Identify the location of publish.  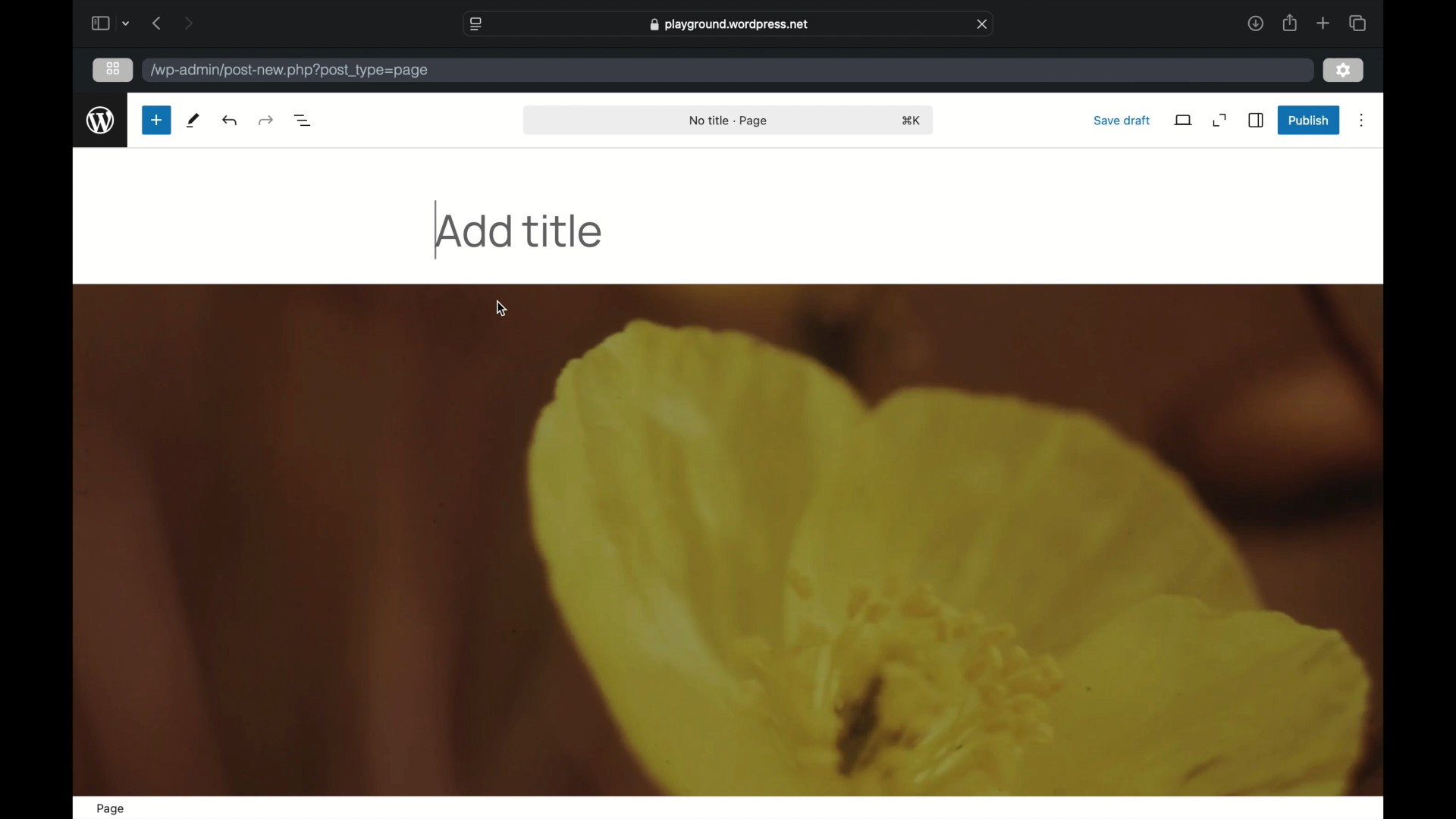
(1310, 121).